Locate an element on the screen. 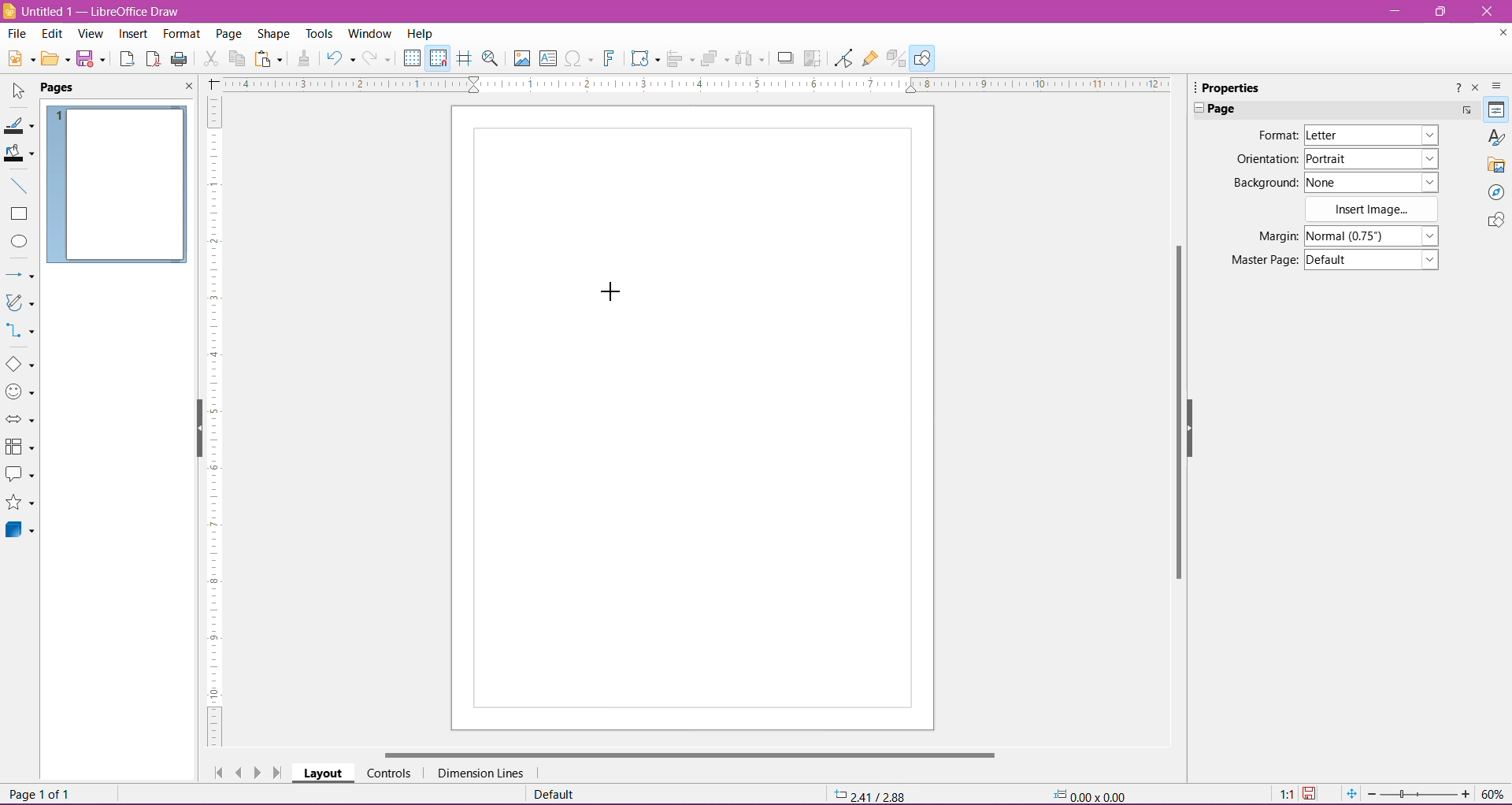  Curves and Polygons is located at coordinates (20, 304).